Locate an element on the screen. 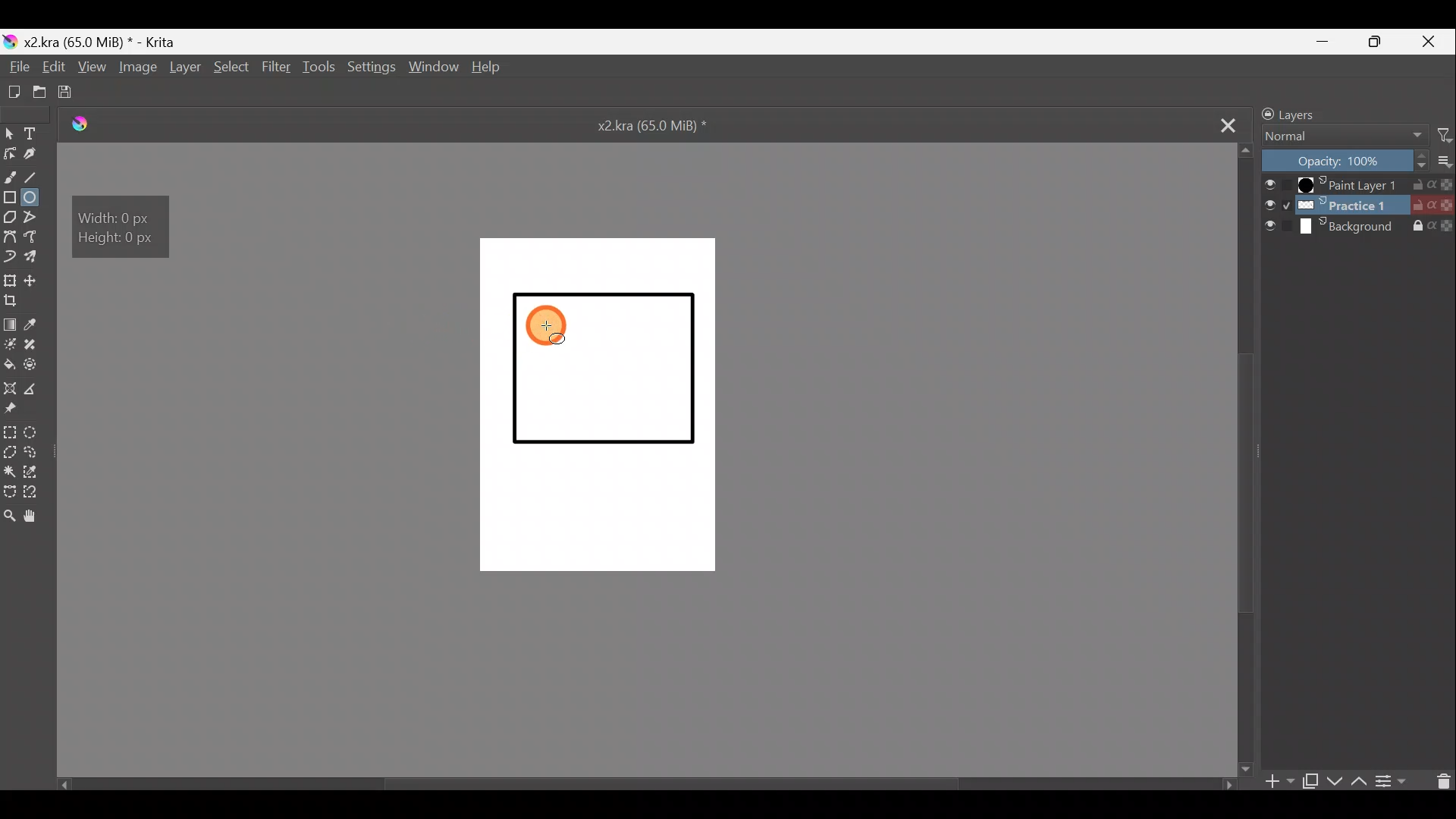 The image size is (1456, 819). Line tool is located at coordinates (37, 175).